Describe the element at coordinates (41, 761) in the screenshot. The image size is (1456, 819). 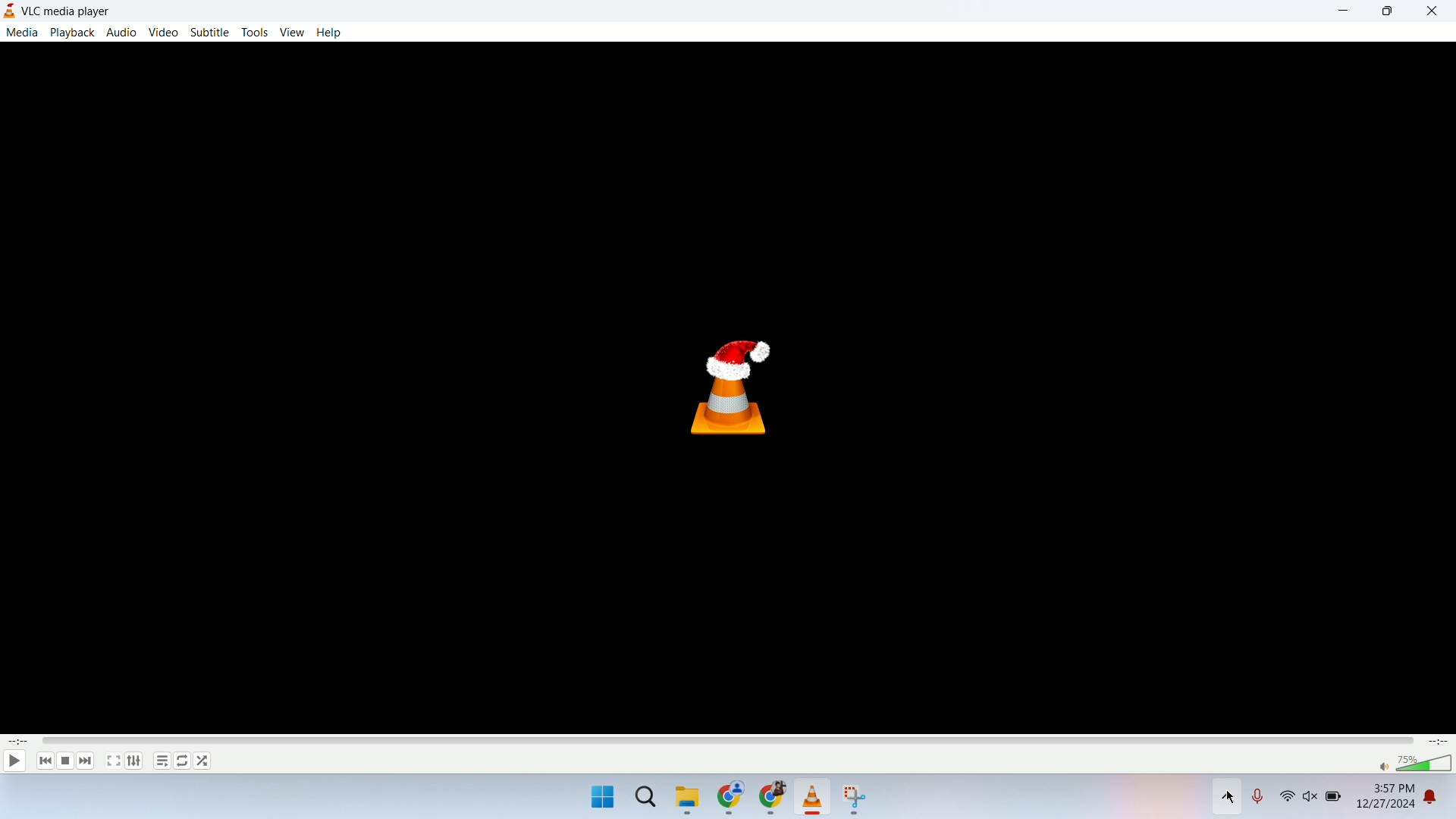
I see `previous track` at that location.